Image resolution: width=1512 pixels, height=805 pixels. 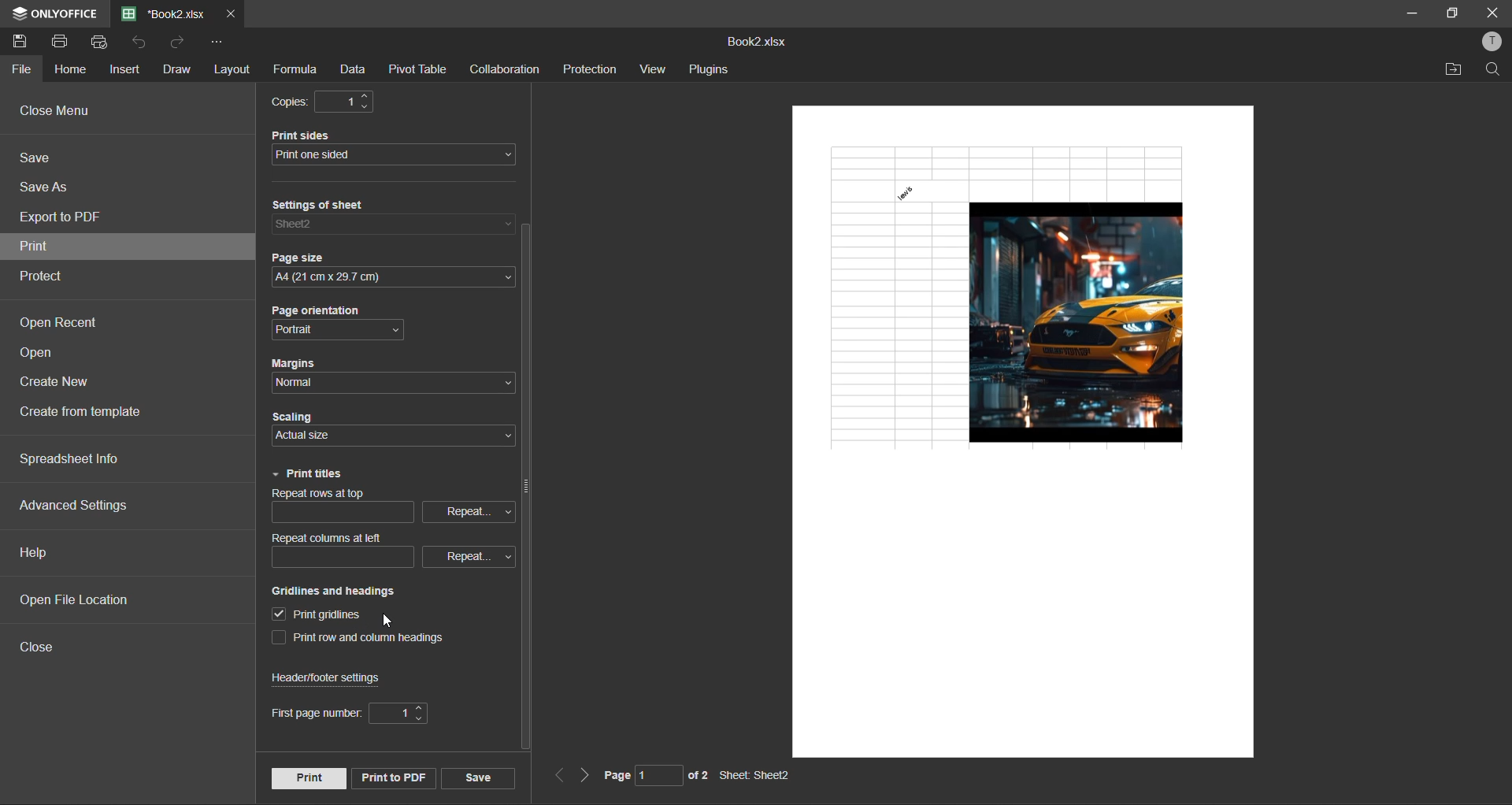 What do you see at coordinates (584, 777) in the screenshot?
I see `next` at bounding box center [584, 777].